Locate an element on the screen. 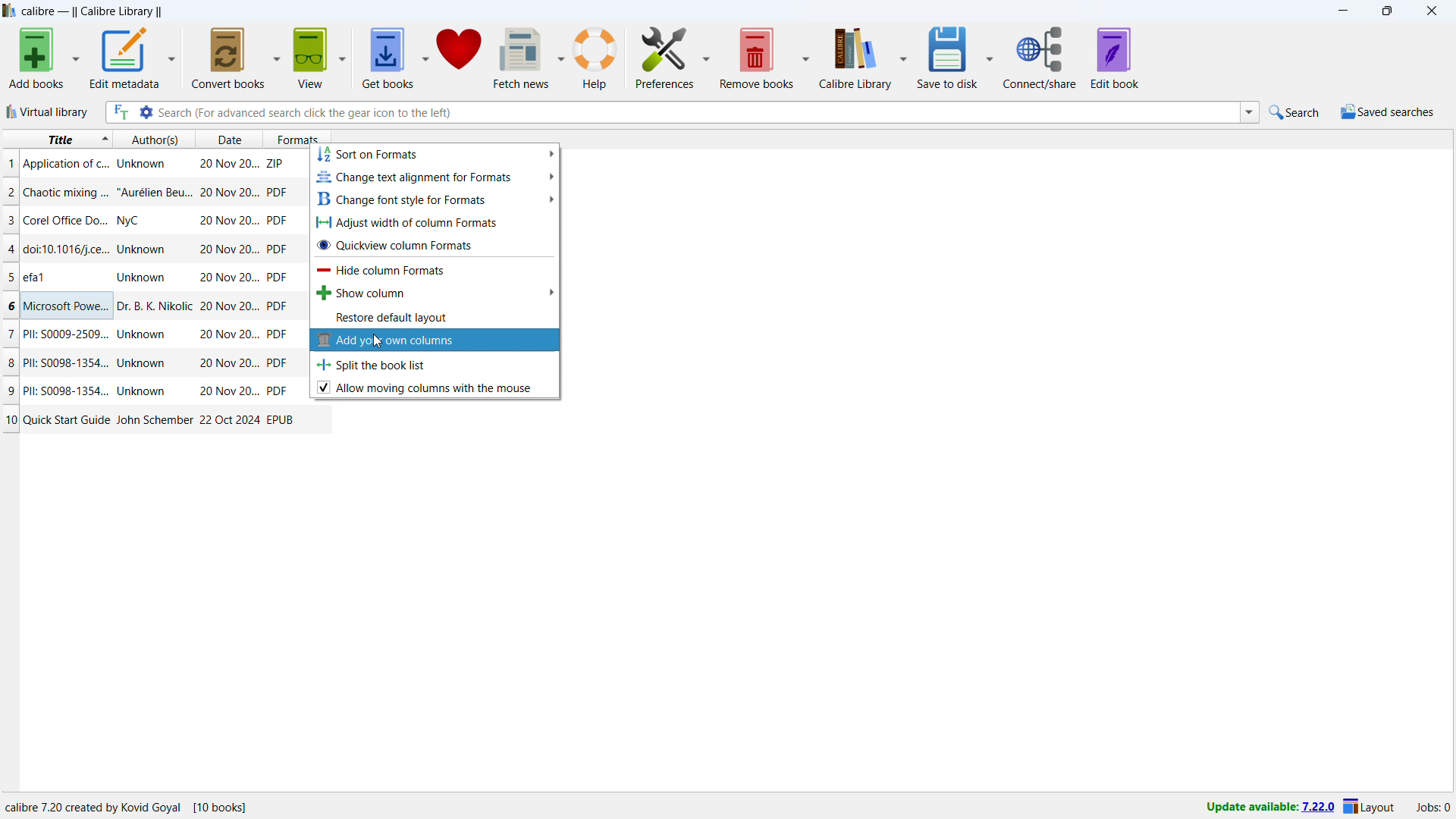  get books options is located at coordinates (426, 57).